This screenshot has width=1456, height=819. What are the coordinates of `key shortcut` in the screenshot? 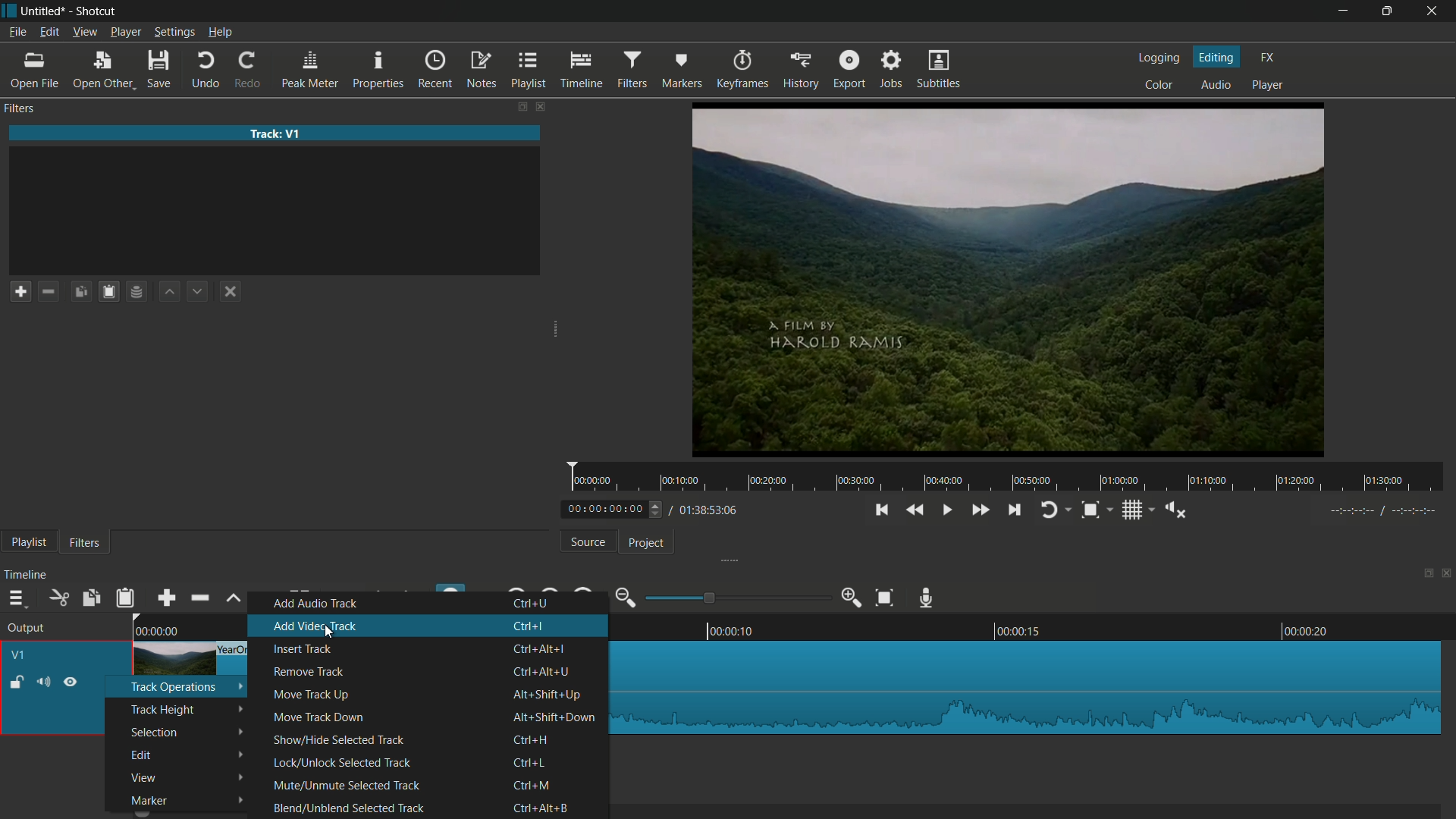 It's located at (529, 764).